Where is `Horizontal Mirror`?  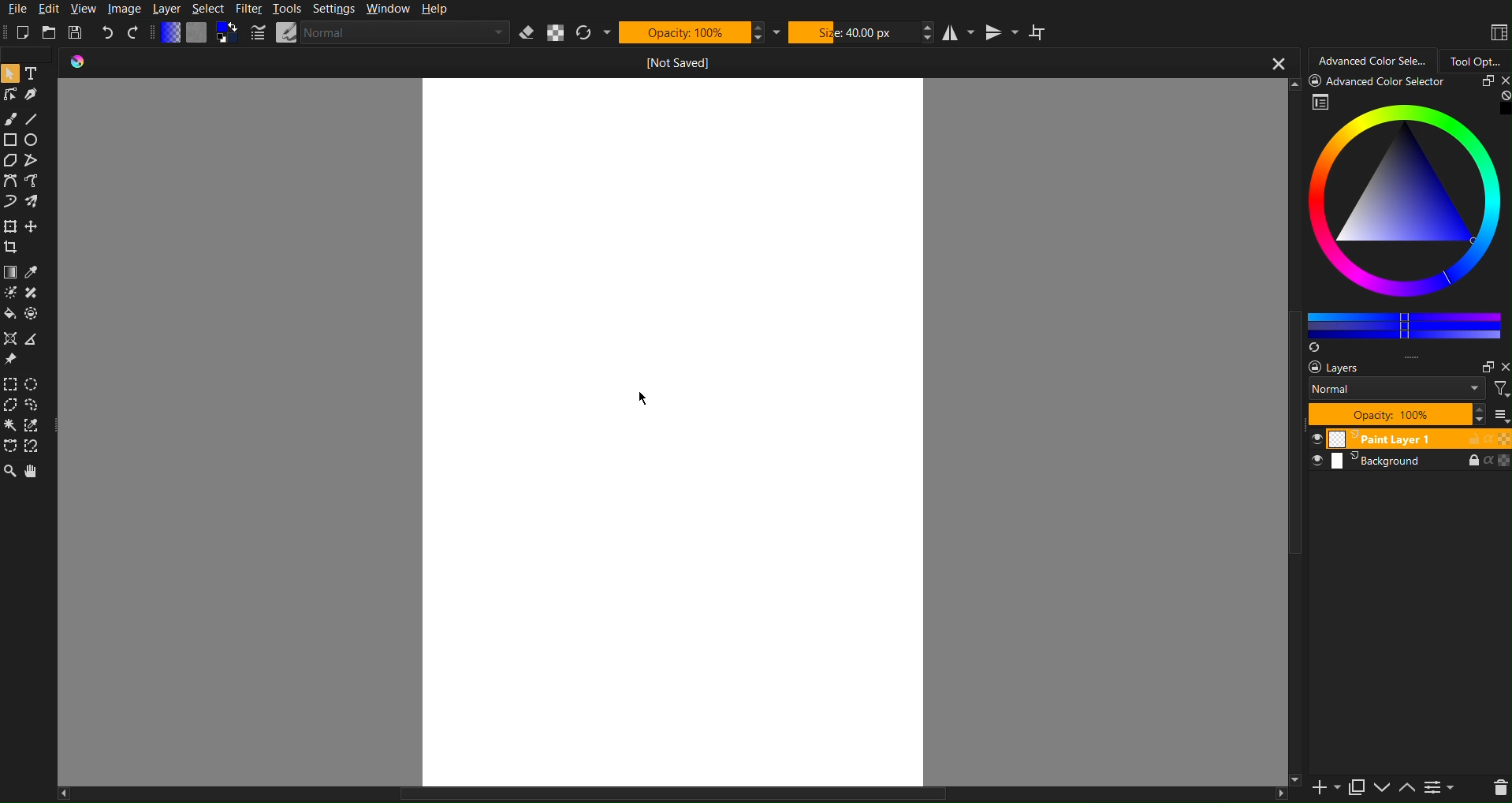 Horizontal Mirror is located at coordinates (959, 31).